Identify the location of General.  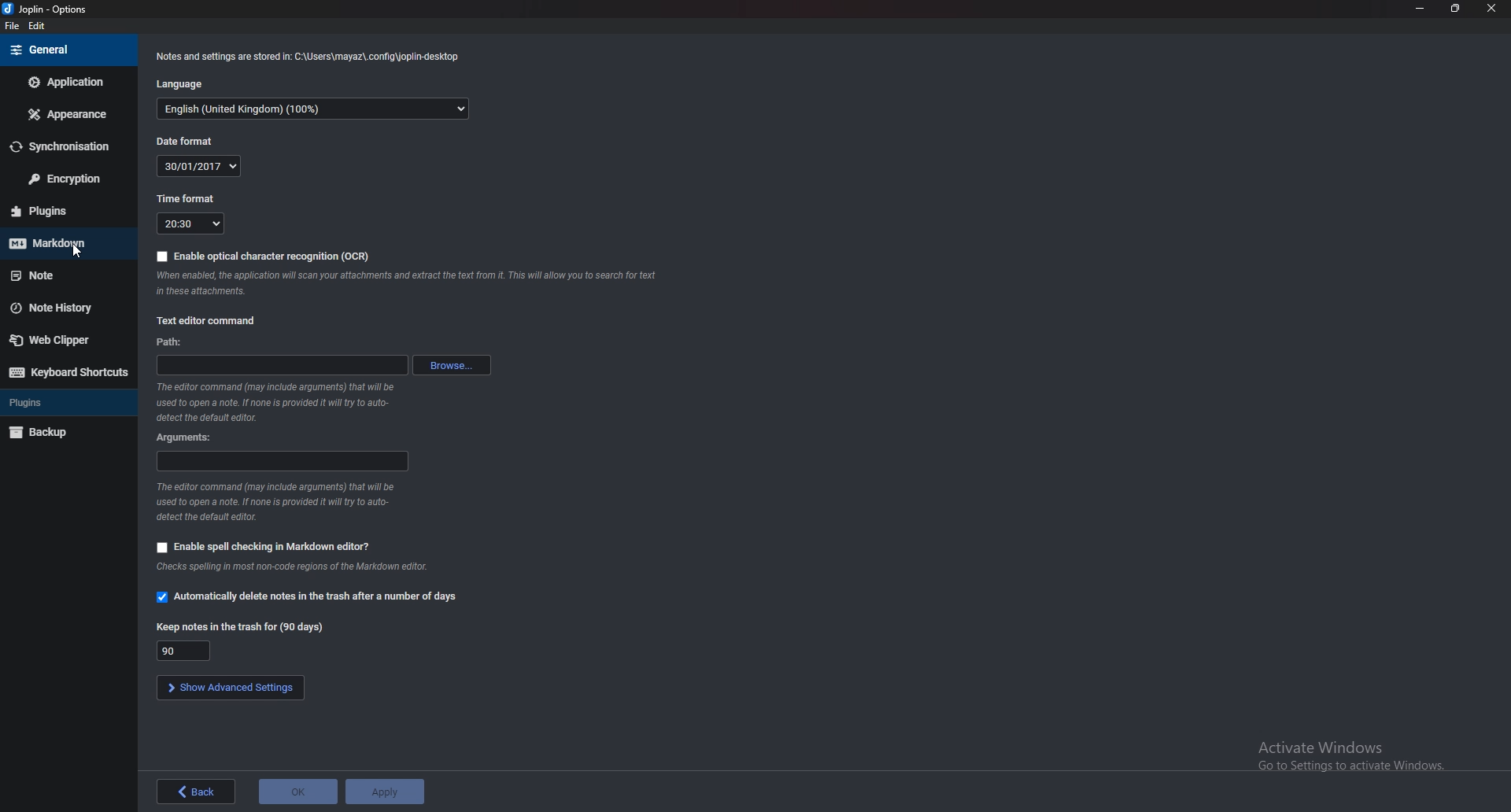
(65, 50).